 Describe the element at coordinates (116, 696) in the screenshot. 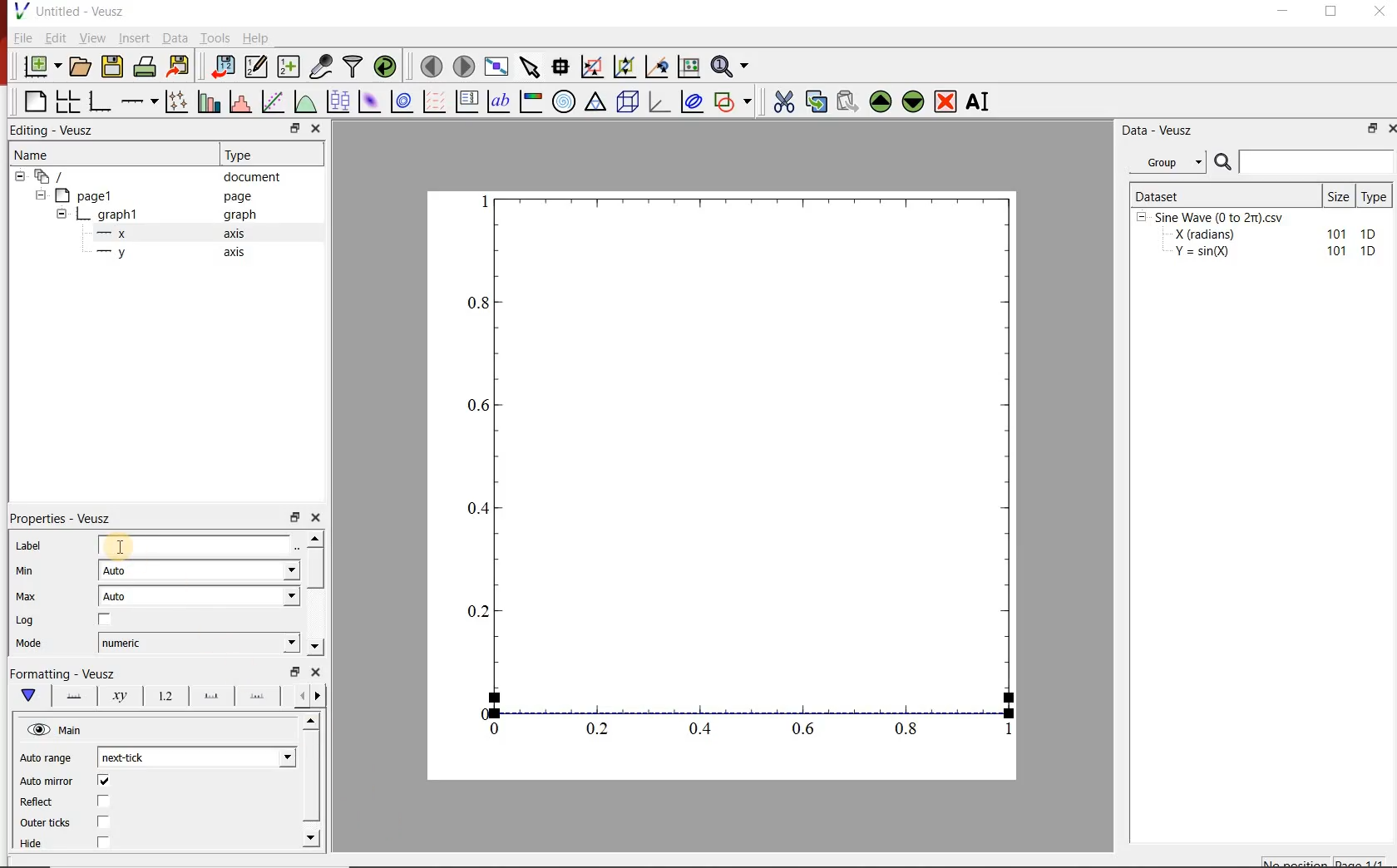

I see `xy` at that location.